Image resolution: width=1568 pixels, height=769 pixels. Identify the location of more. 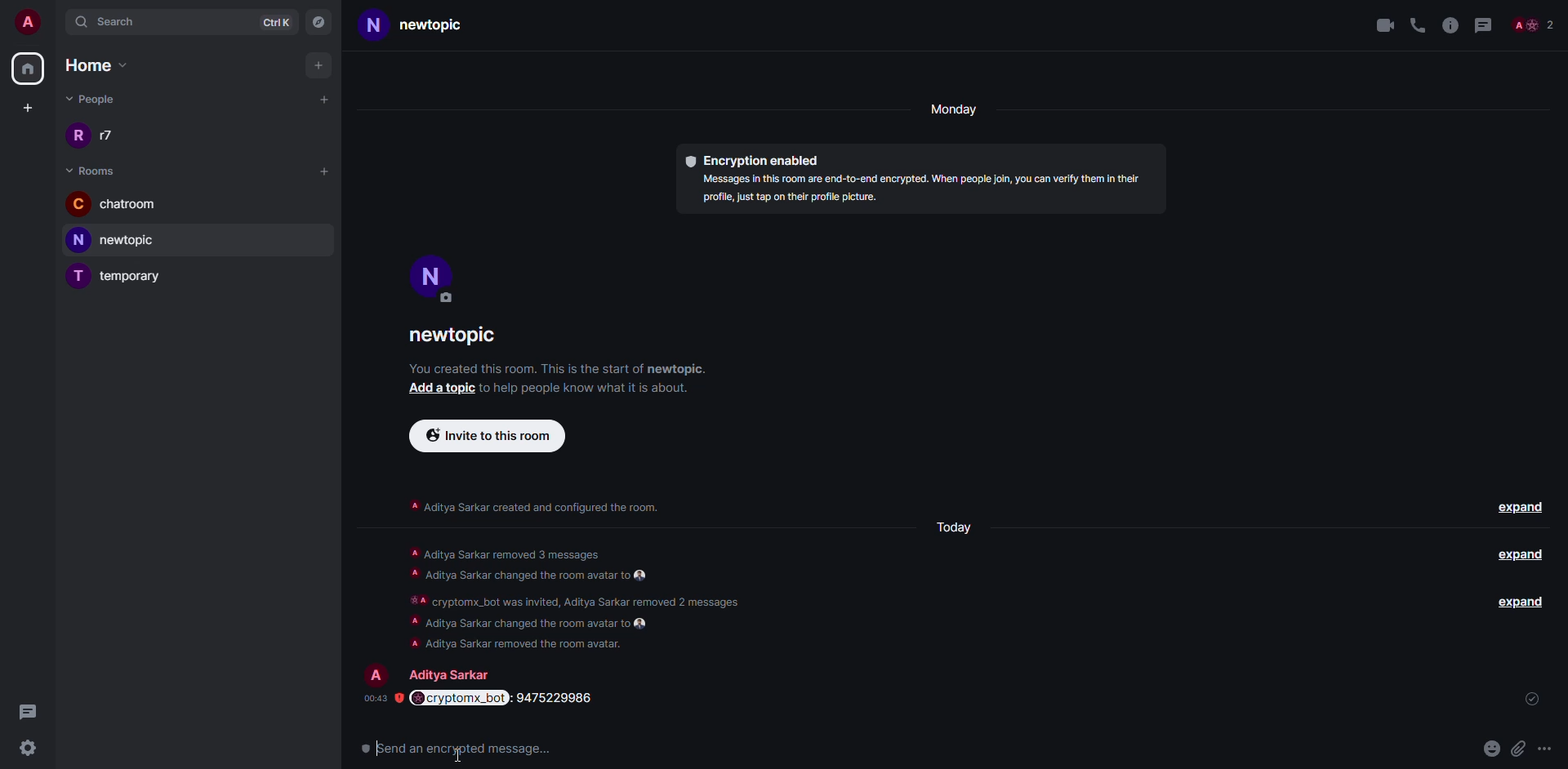
(1550, 751).